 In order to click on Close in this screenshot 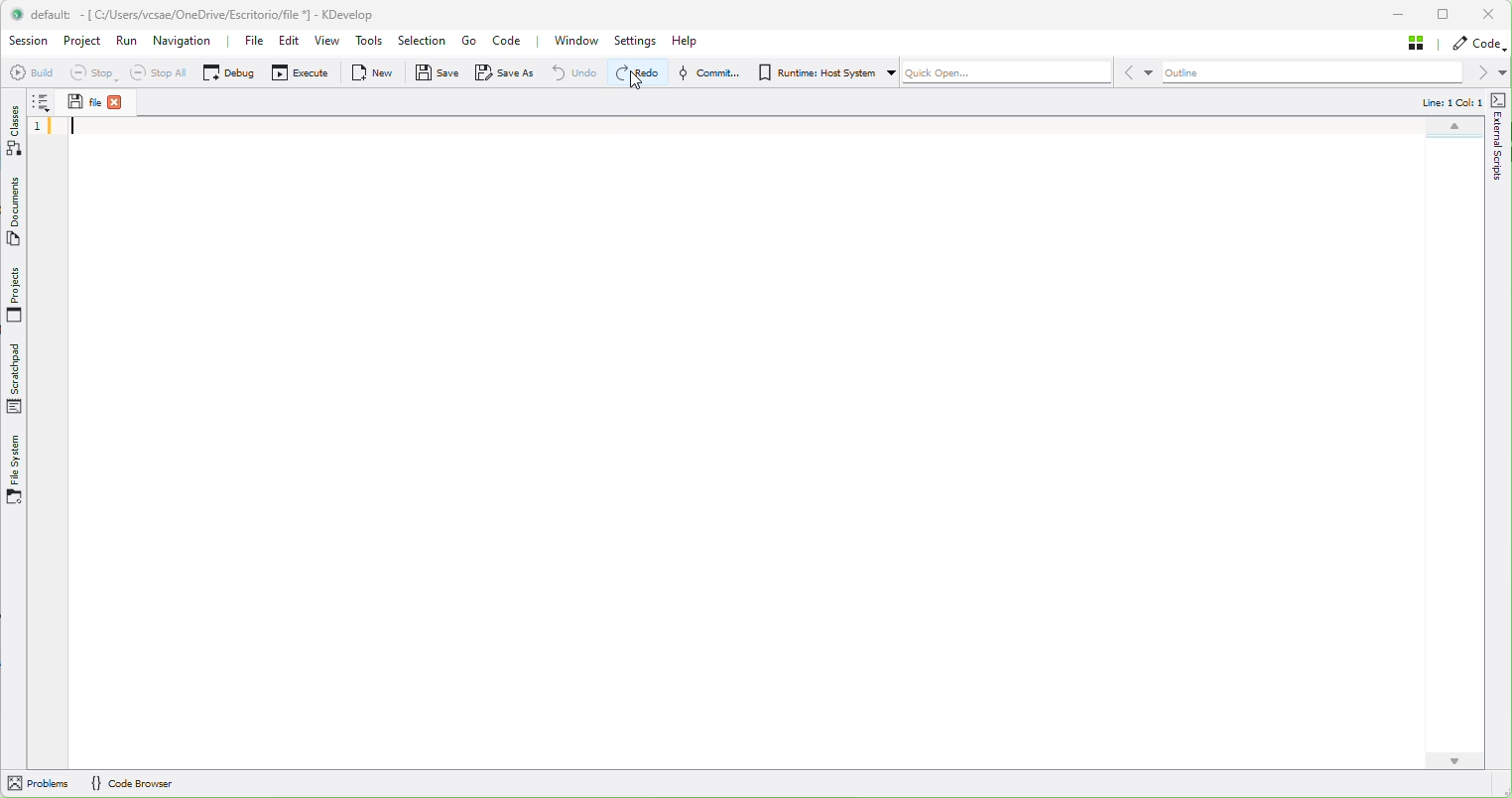, I will do `click(1490, 14)`.